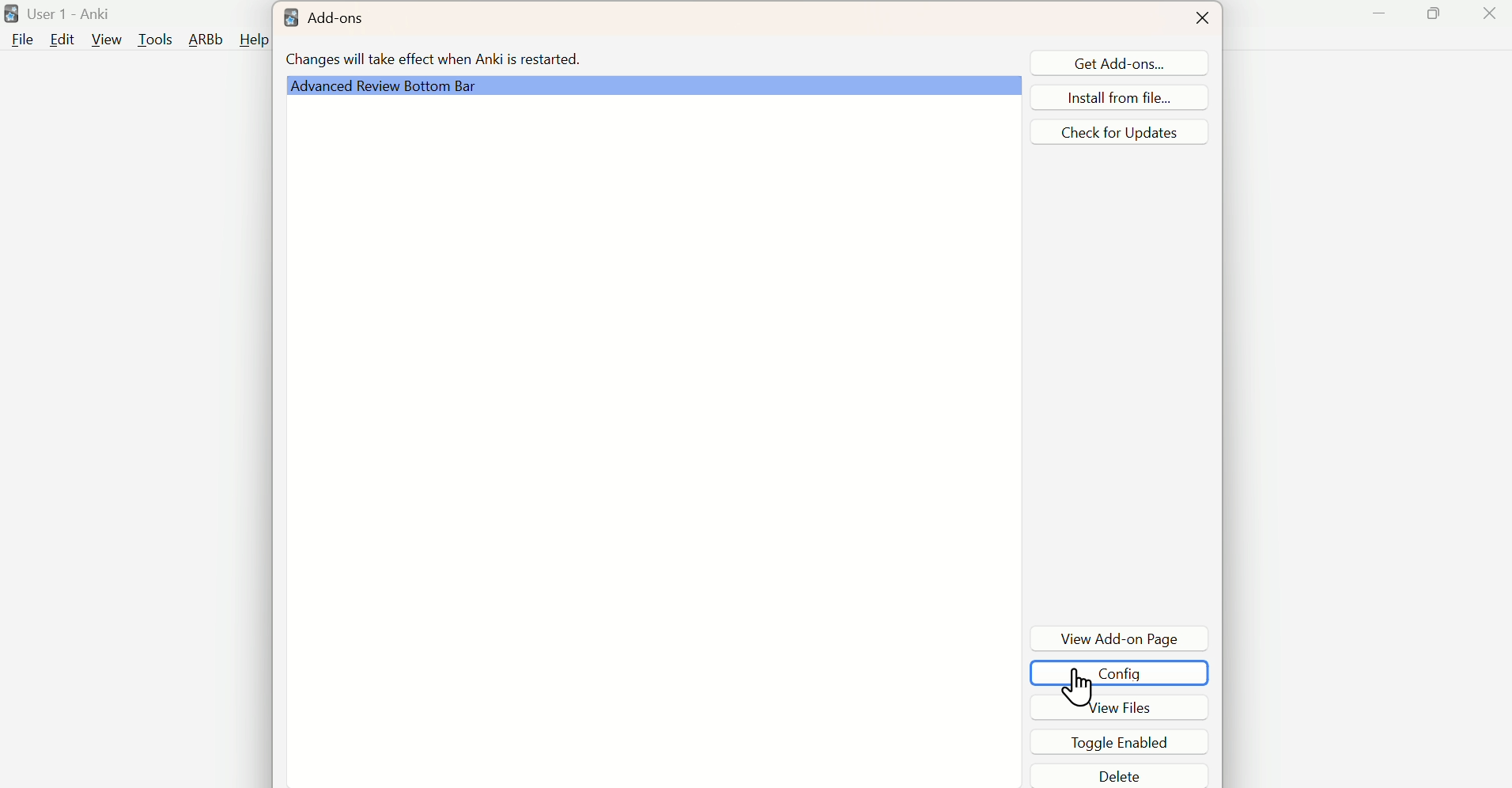 Image resolution: width=1512 pixels, height=788 pixels. I want to click on Check for updates, so click(1116, 134).